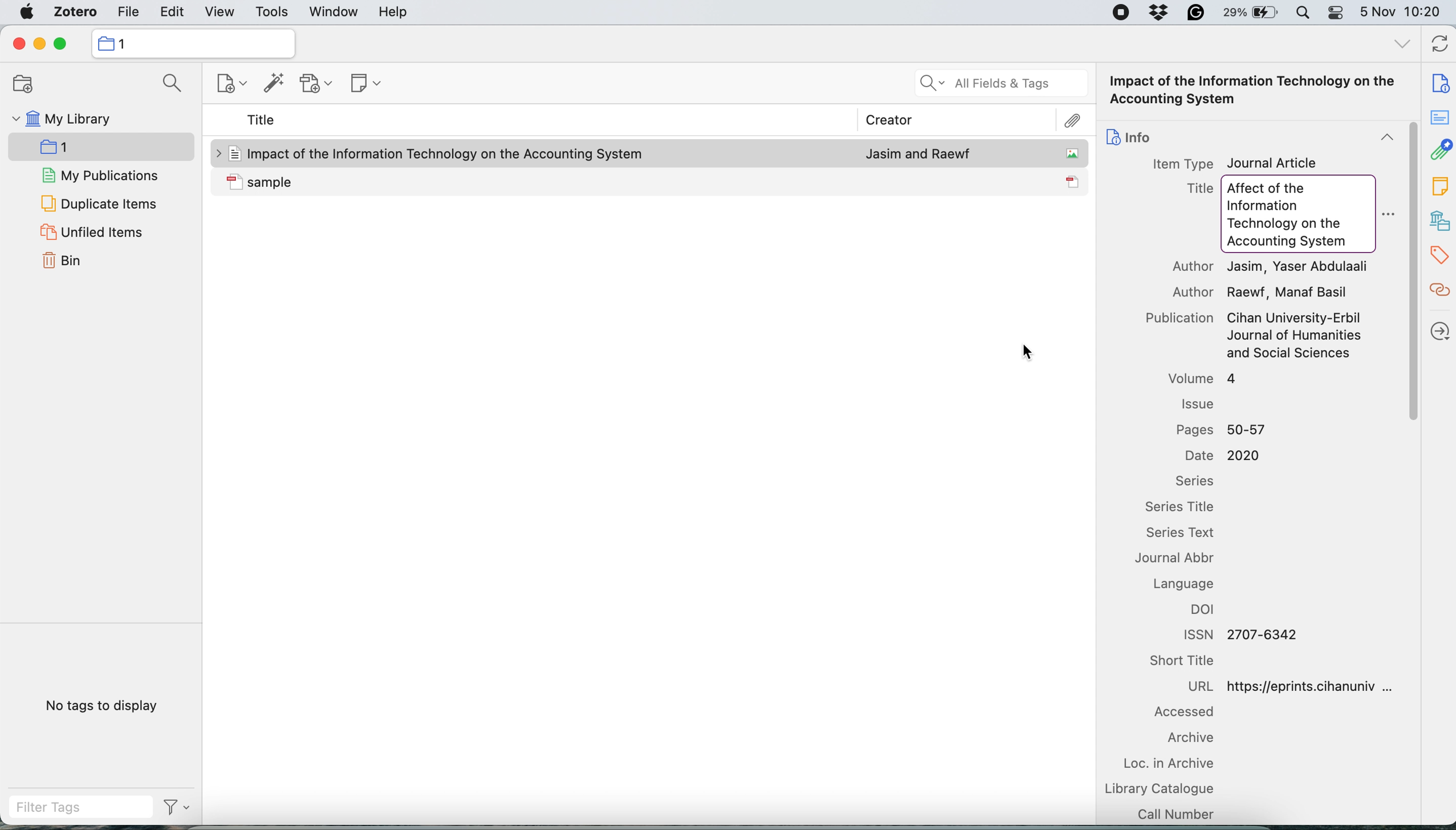 The image size is (1456, 830). Describe the element at coordinates (1290, 686) in the screenshot. I see `URL https://eprints.cihanuniv ...` at that location.